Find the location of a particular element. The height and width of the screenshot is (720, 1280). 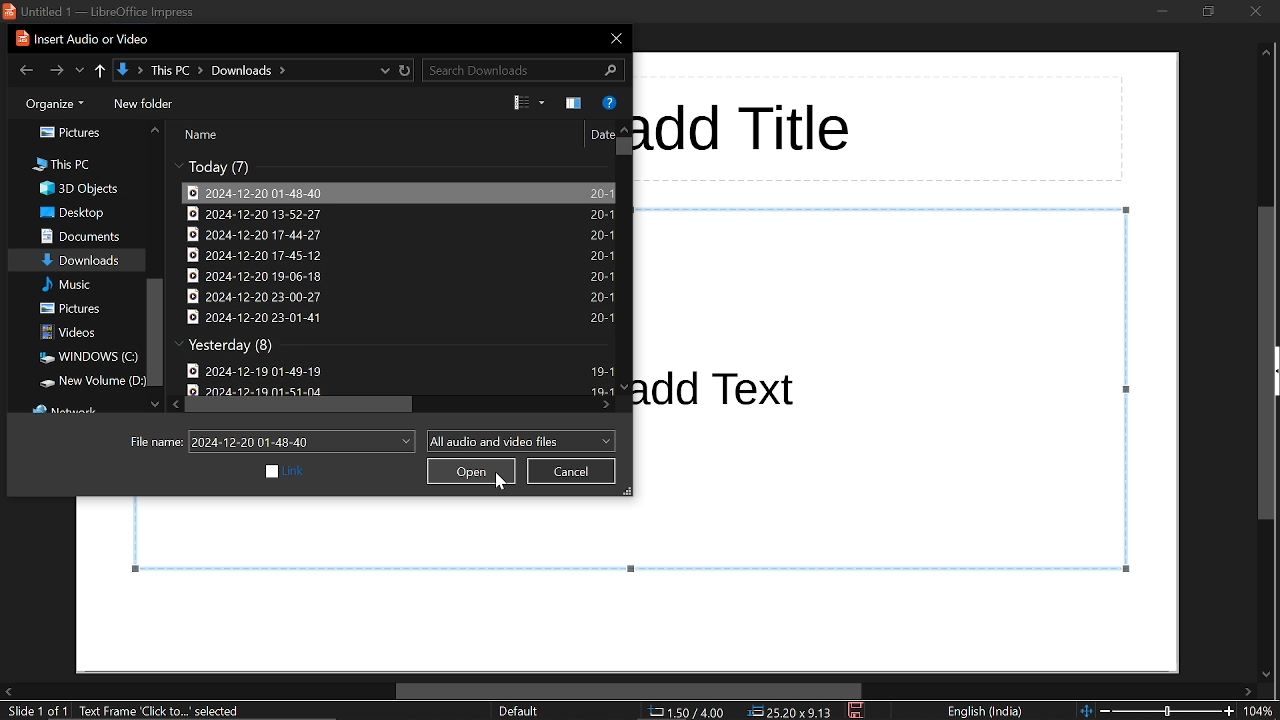

open is located at coordinates (472, 472).